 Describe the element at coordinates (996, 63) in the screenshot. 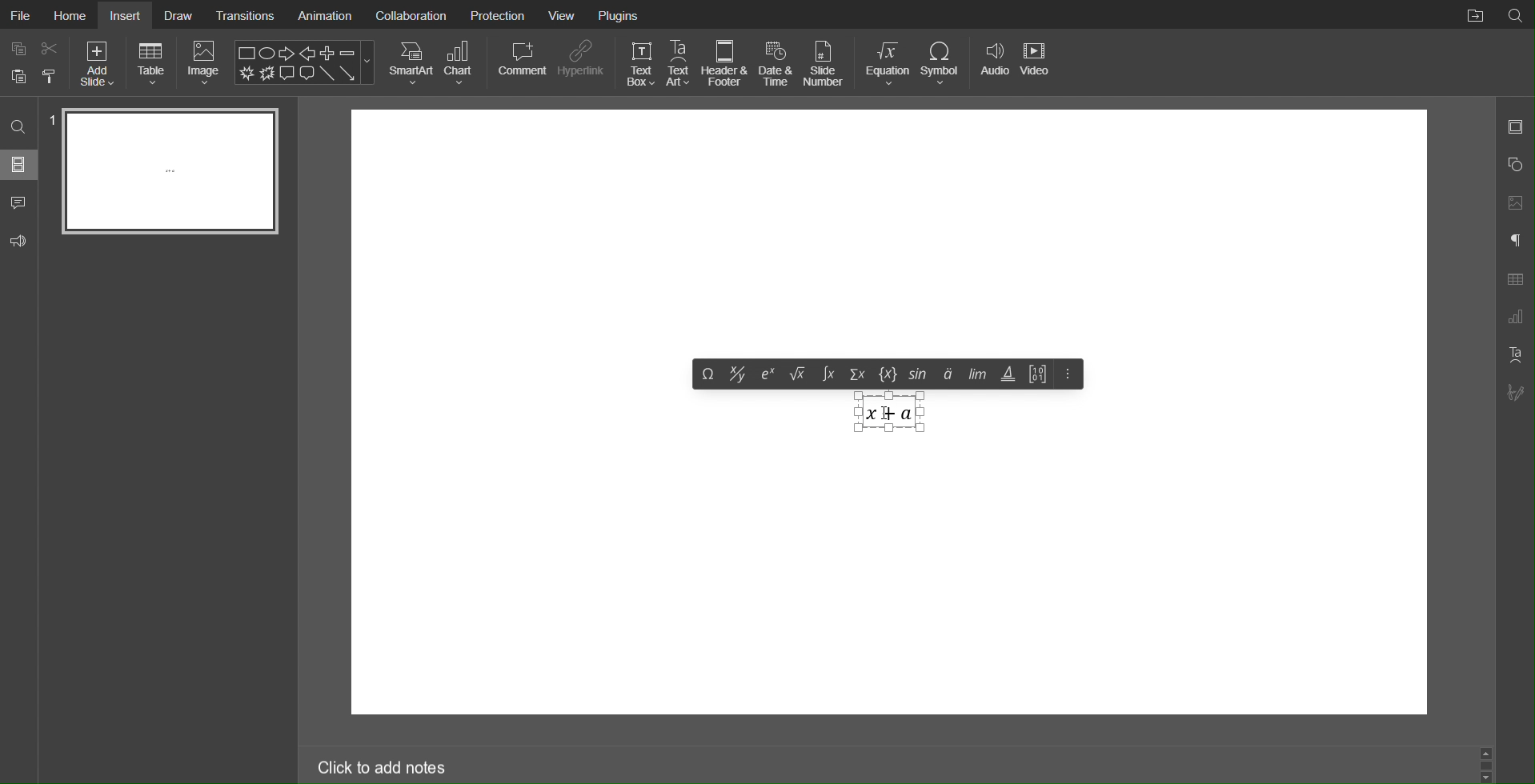

I see `Audio` at that location.